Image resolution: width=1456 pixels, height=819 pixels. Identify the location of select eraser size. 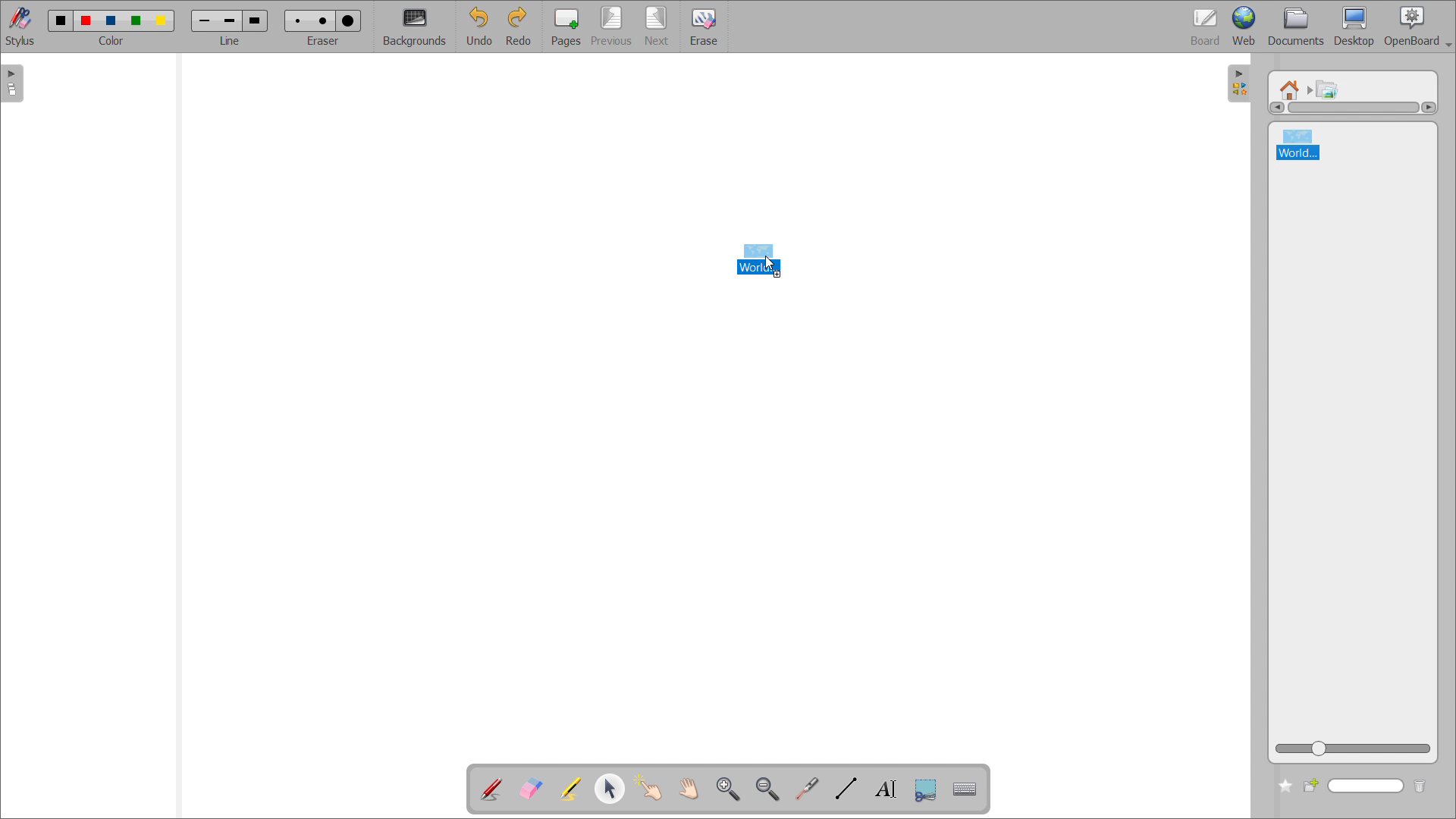
(324, 27).